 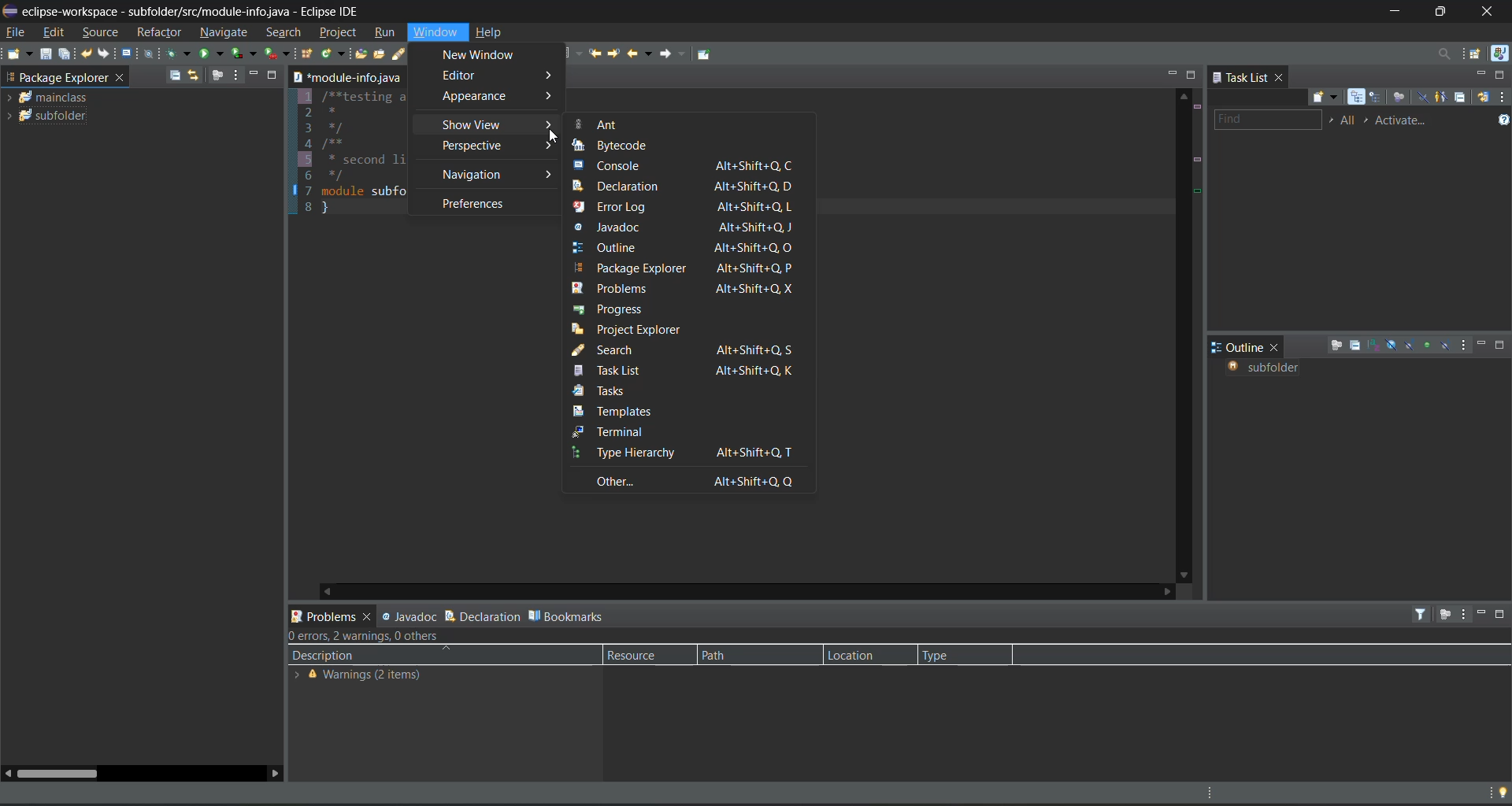 What do you see at coordinates (686, 350) in the screenshot?
I see `search` at bounding box center [686, 350].